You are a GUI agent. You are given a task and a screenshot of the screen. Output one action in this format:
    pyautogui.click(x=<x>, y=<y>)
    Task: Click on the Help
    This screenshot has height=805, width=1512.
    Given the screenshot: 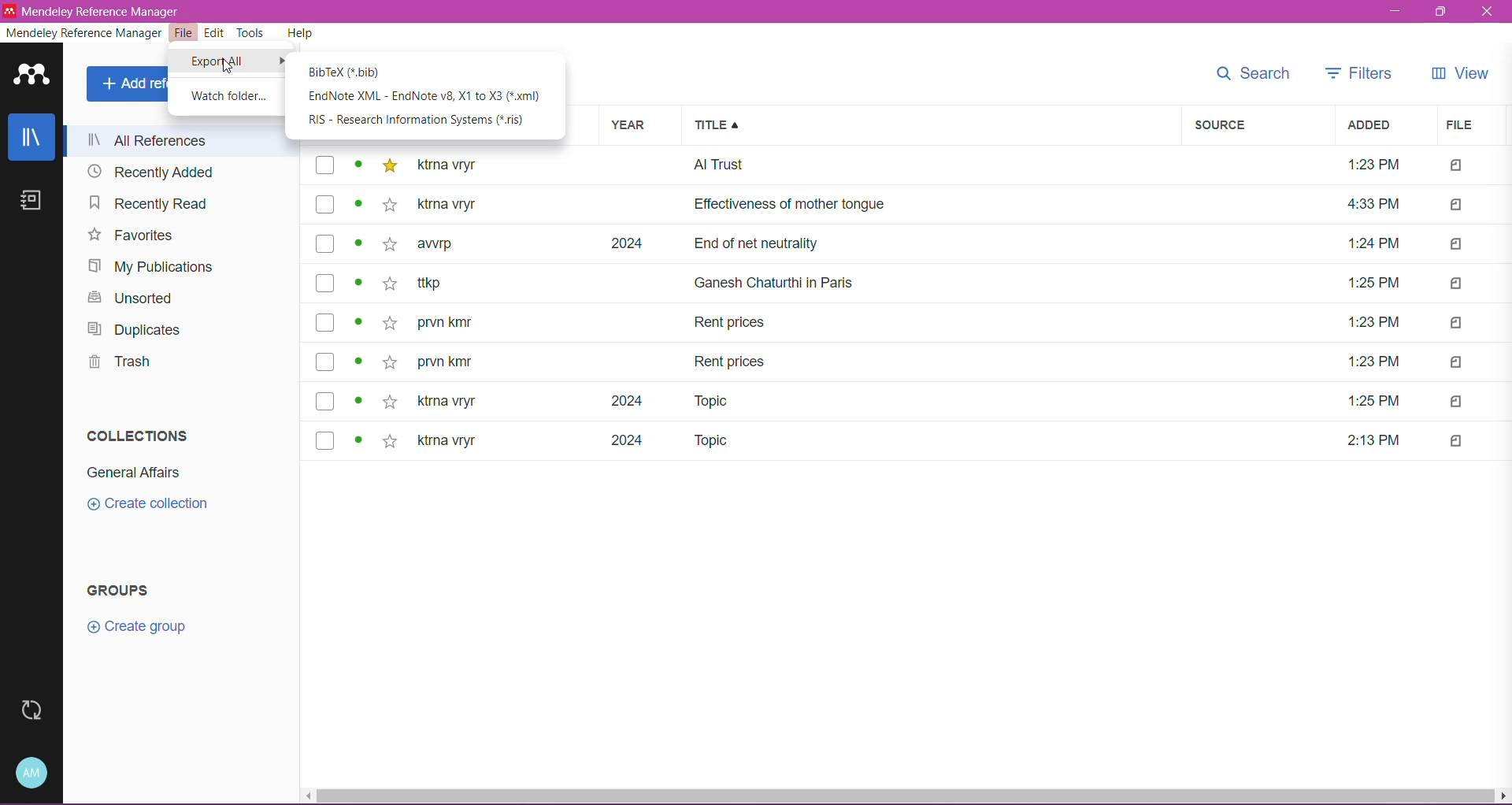 What is the action you would take?
    pyautogui.click(x=304, y=34)
    